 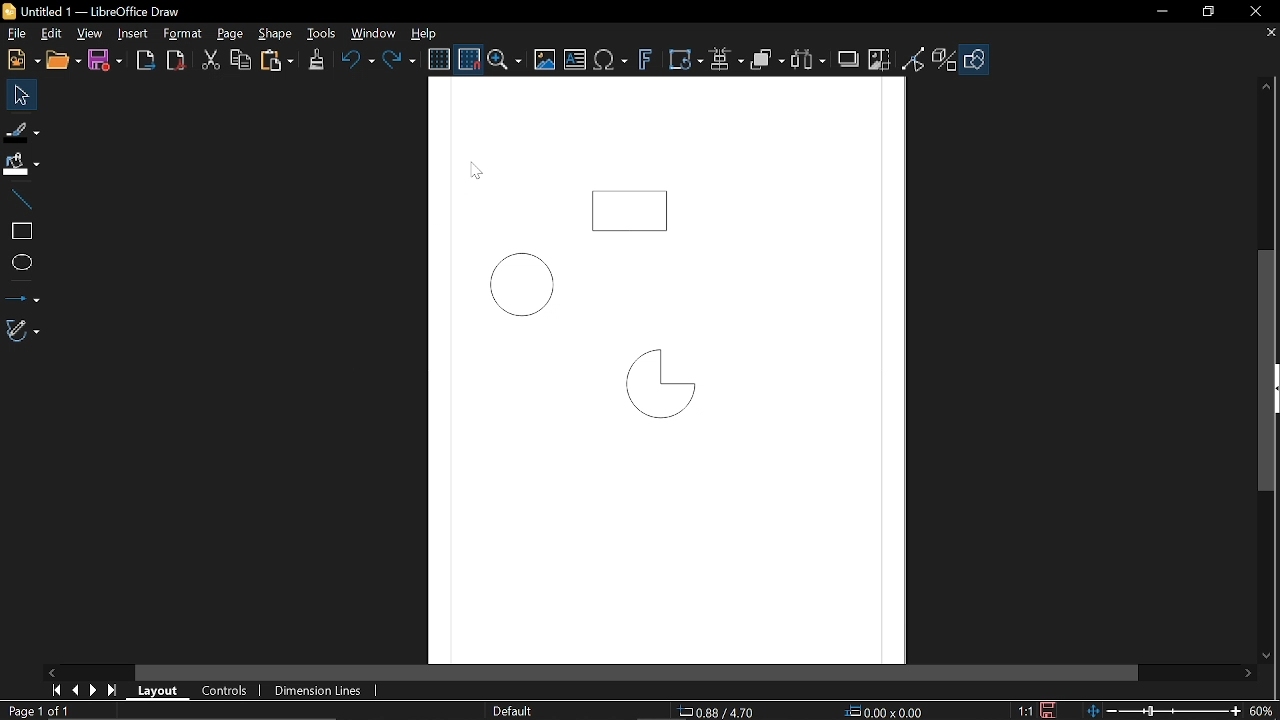 I want to click on Shape, so click(x=274, y=35).